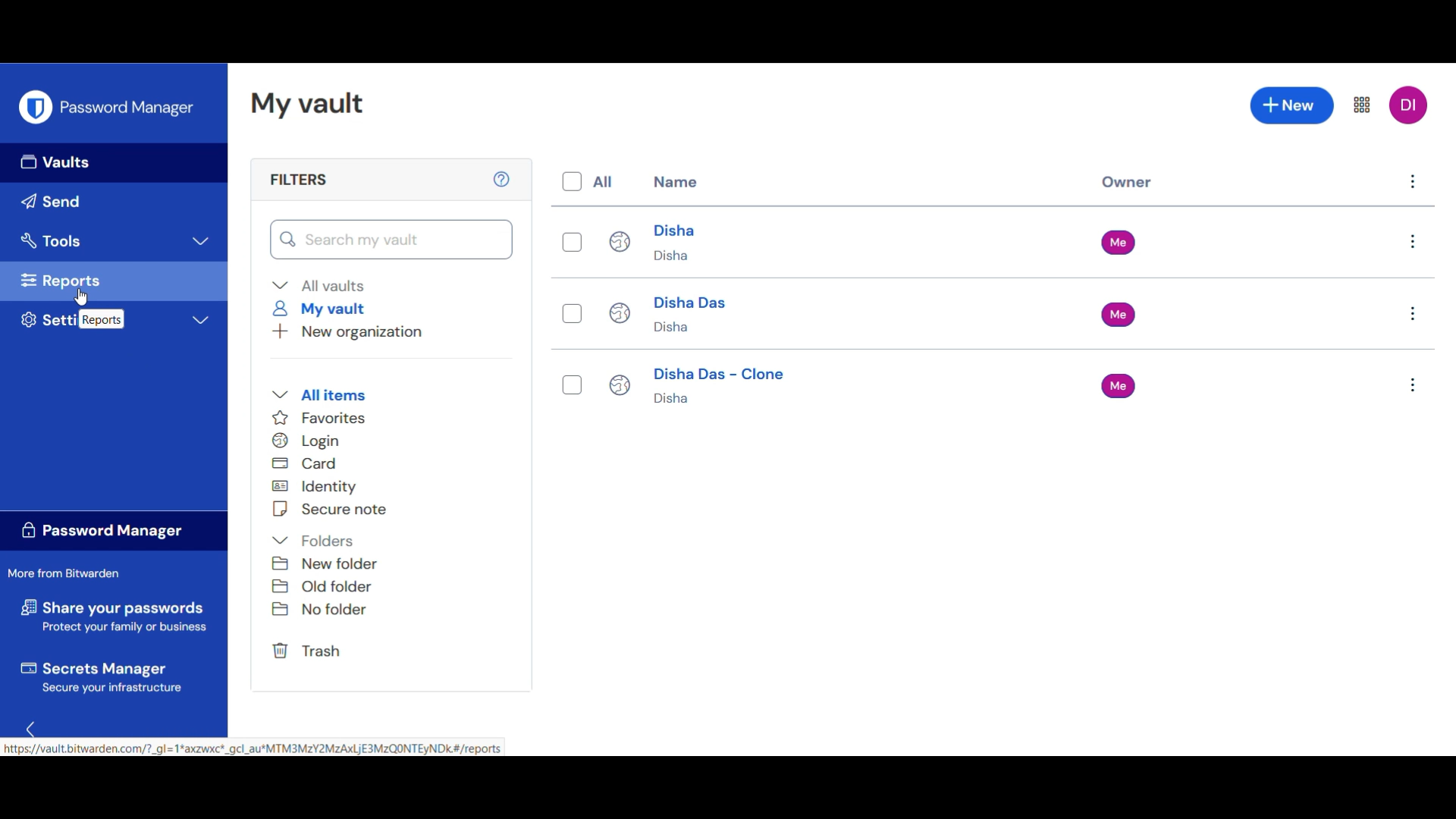 The height and width of the screenshot is (819, 1456). Describe the element at coordinates (322, 417) in the screenshot. I see `Favorites` at that location.